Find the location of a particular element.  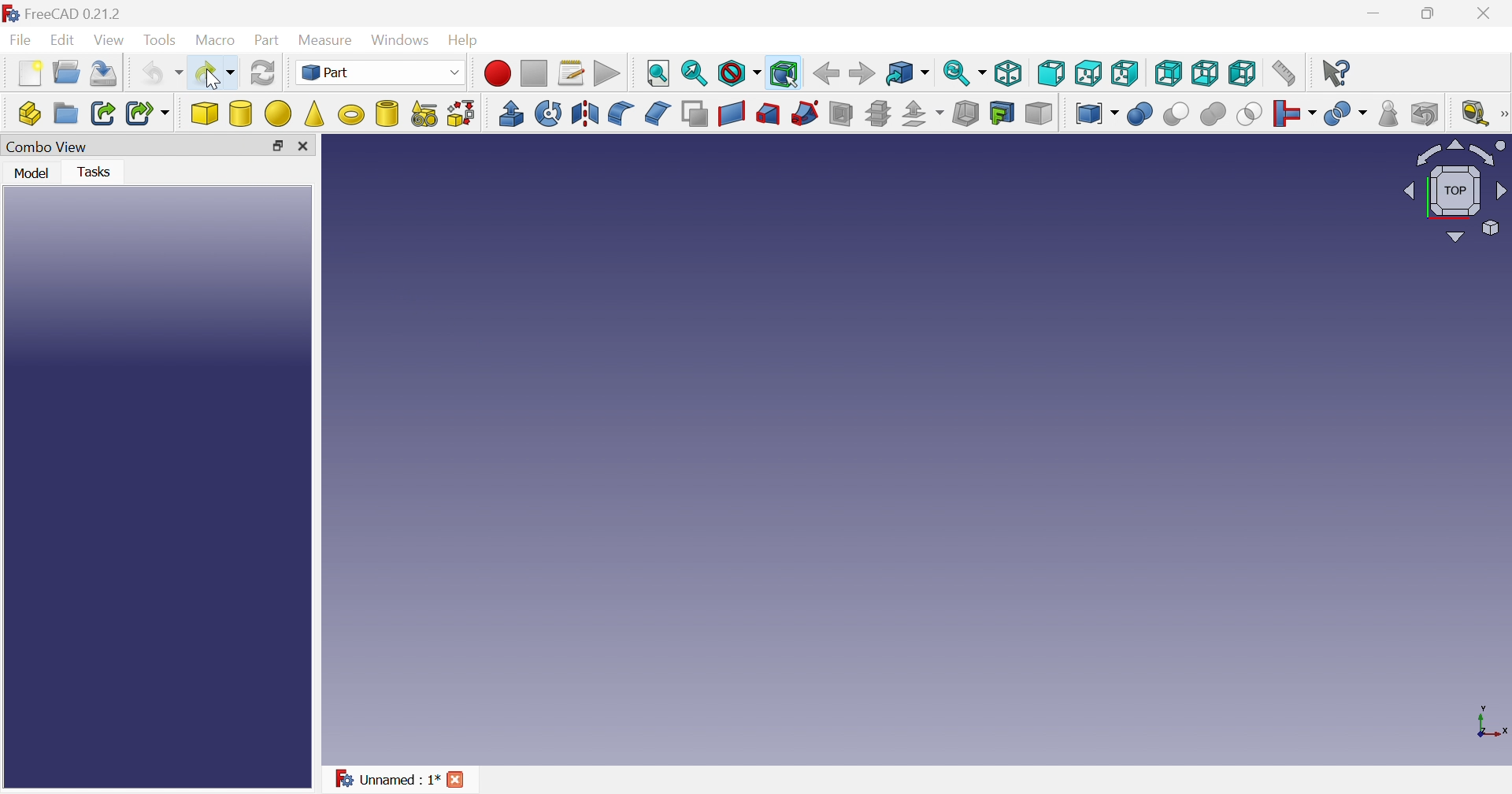

Minimize is located at coordinates (1427, 16).